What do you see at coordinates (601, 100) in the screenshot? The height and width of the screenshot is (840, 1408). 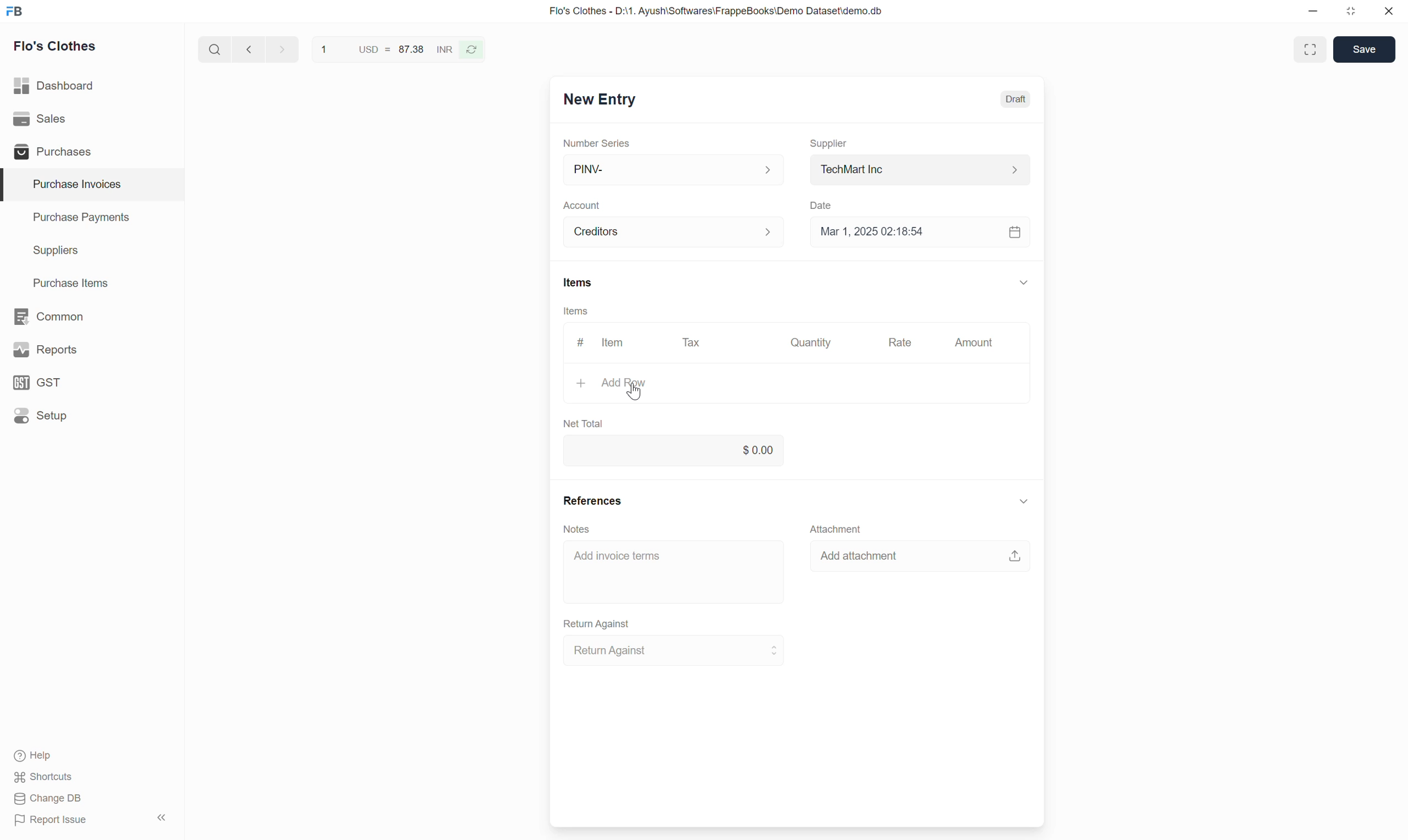 I see `New Entry` at bounding box center [601, 100].